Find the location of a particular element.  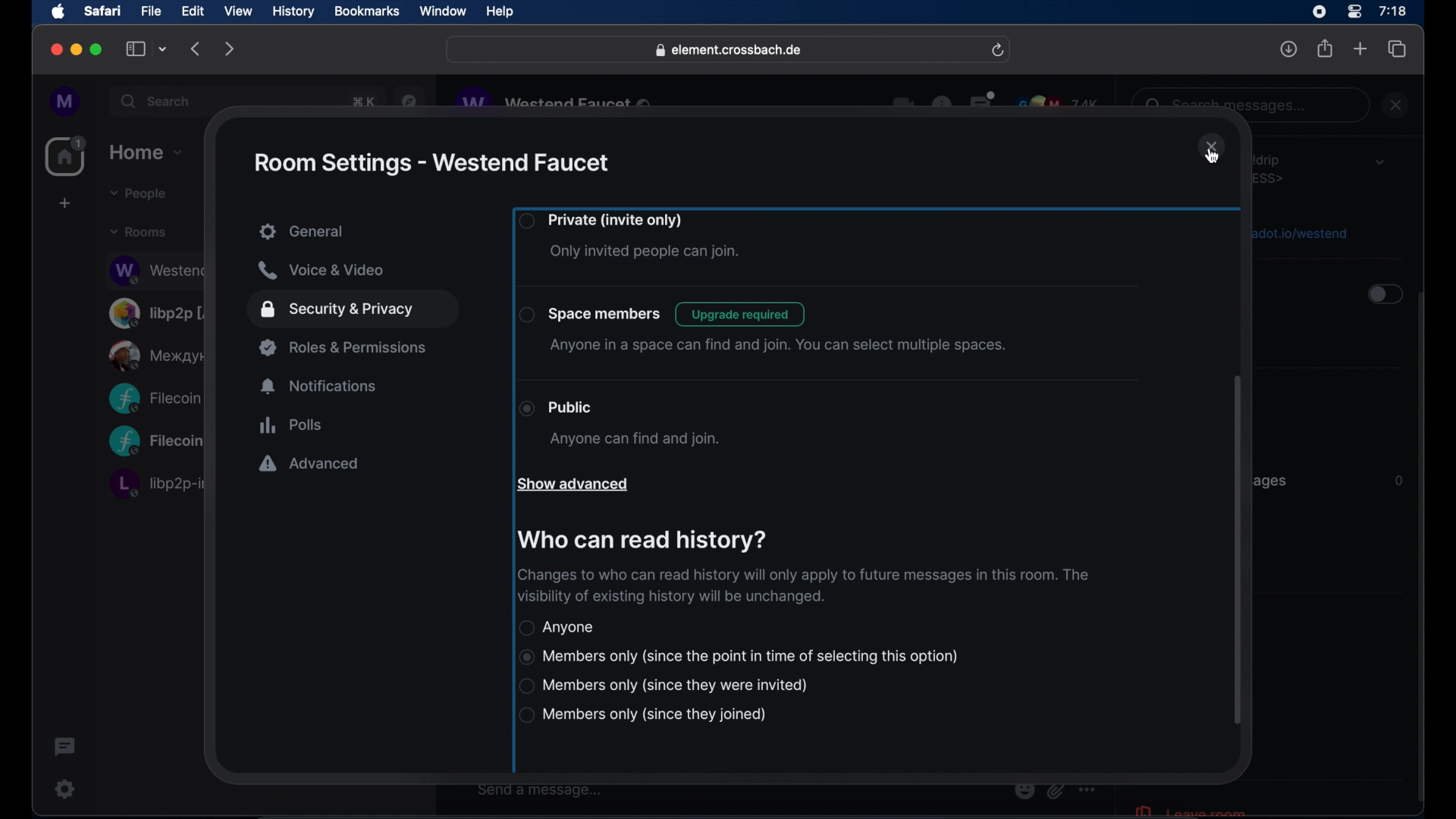

who can read history is located at coordinates (640, 541).